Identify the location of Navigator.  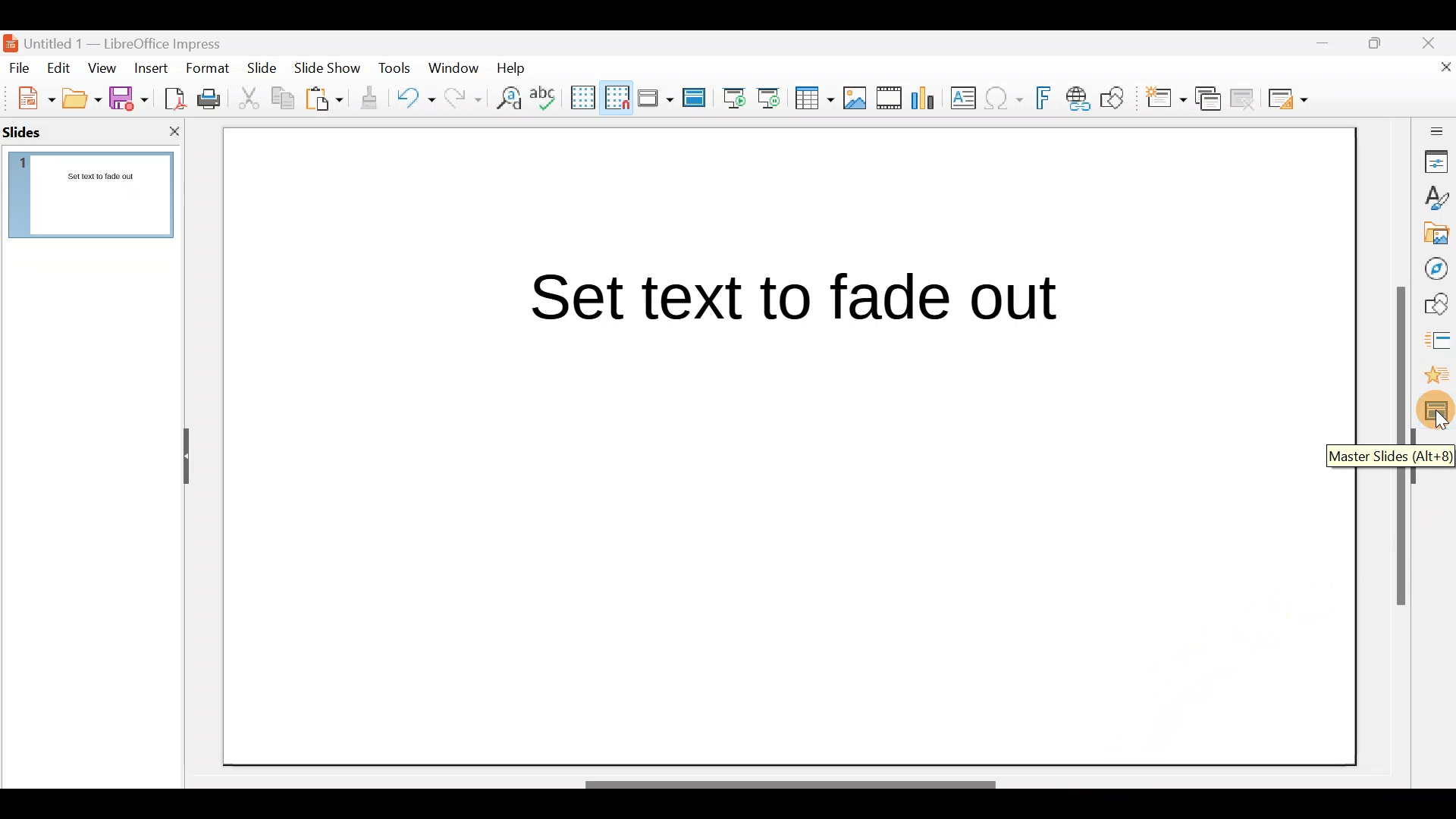
(1437, 269).